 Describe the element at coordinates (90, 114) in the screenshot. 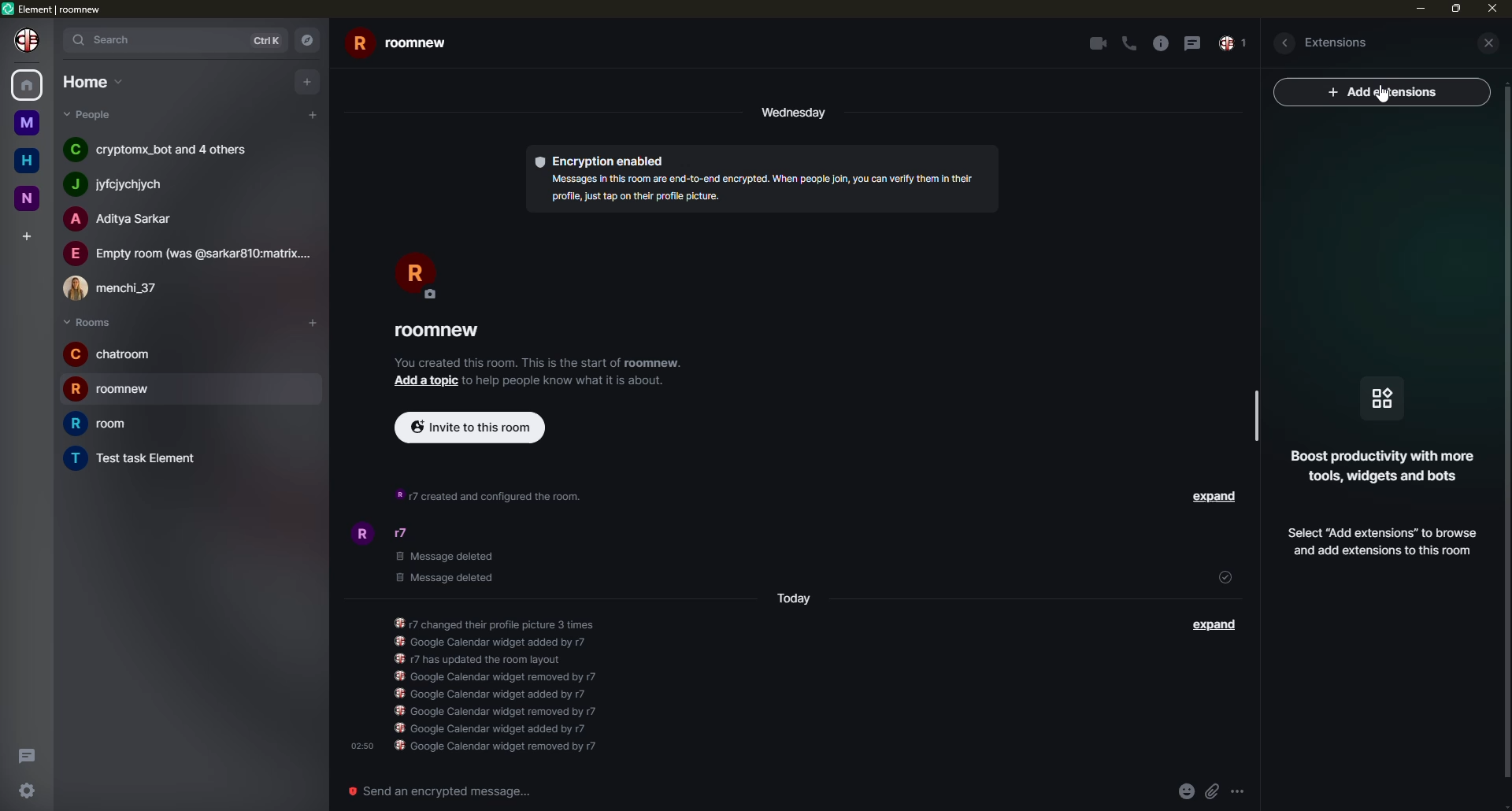

I see `people` at that location.